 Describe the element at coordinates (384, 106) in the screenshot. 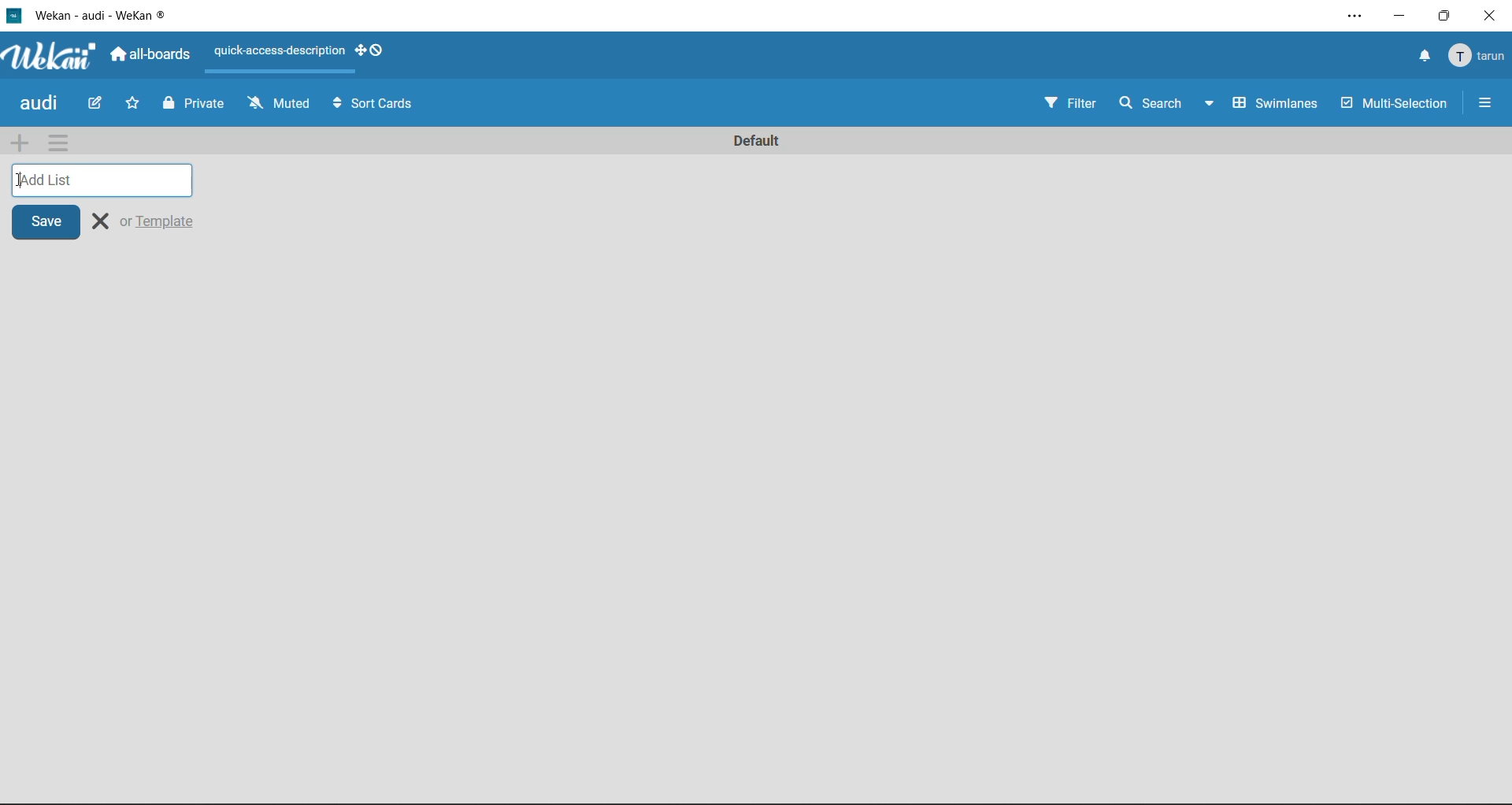

I see `sort cards` at that location.